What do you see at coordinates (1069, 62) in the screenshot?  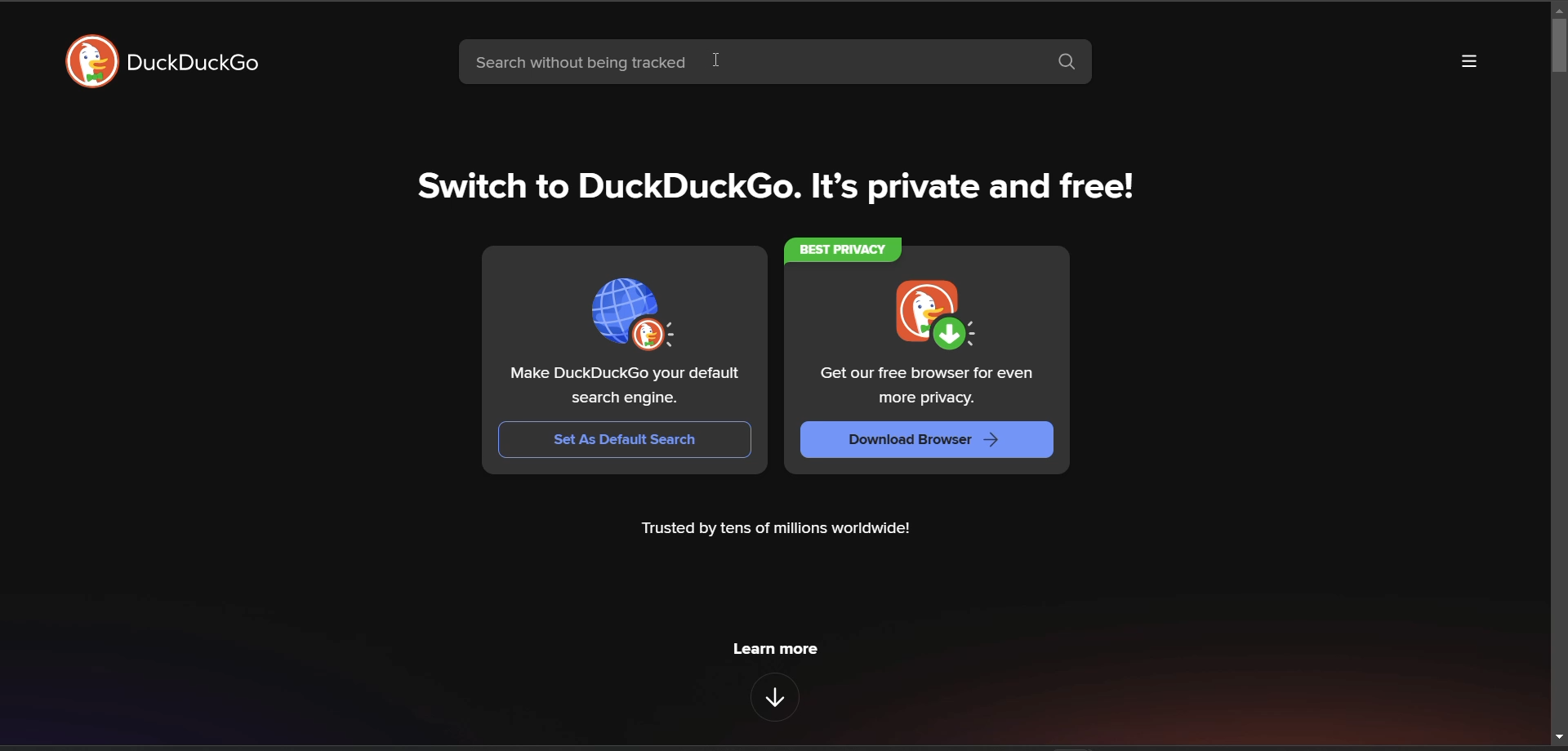 I see `search button` at bounding box center [1069, 62].